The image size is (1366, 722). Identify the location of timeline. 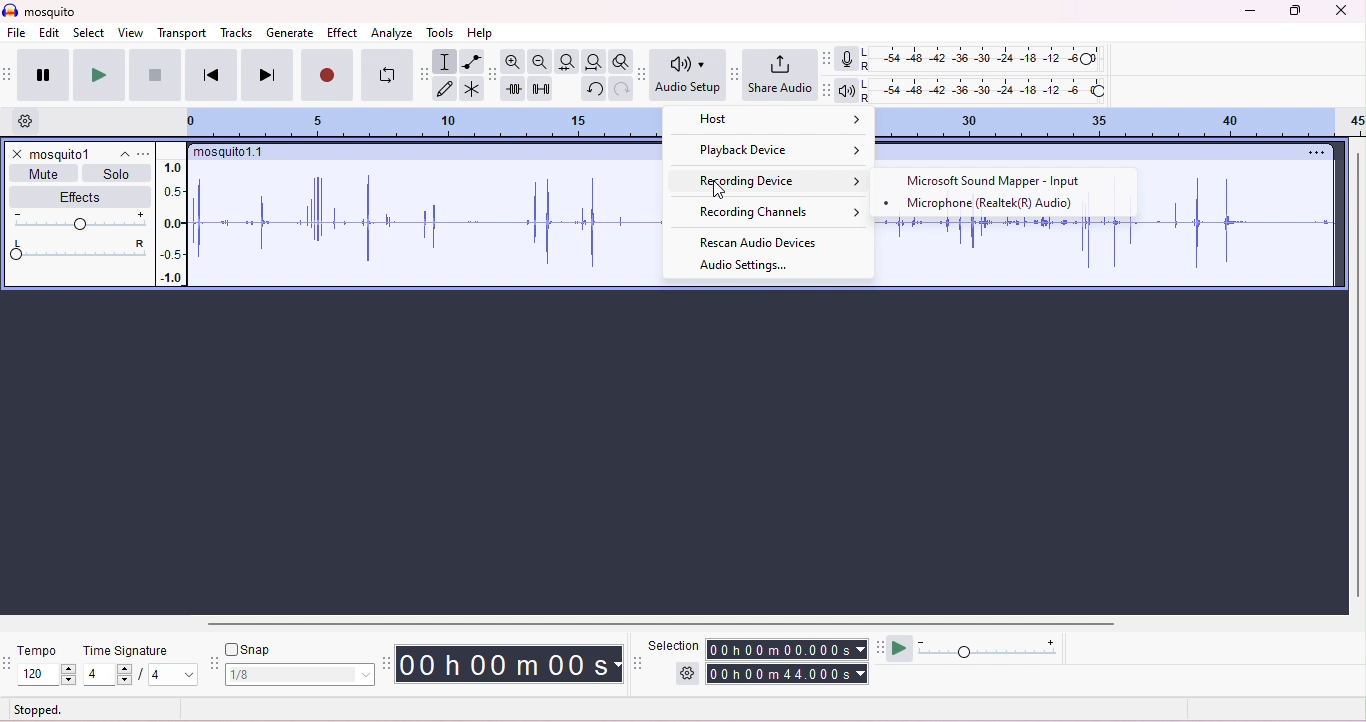
(1123, 123).